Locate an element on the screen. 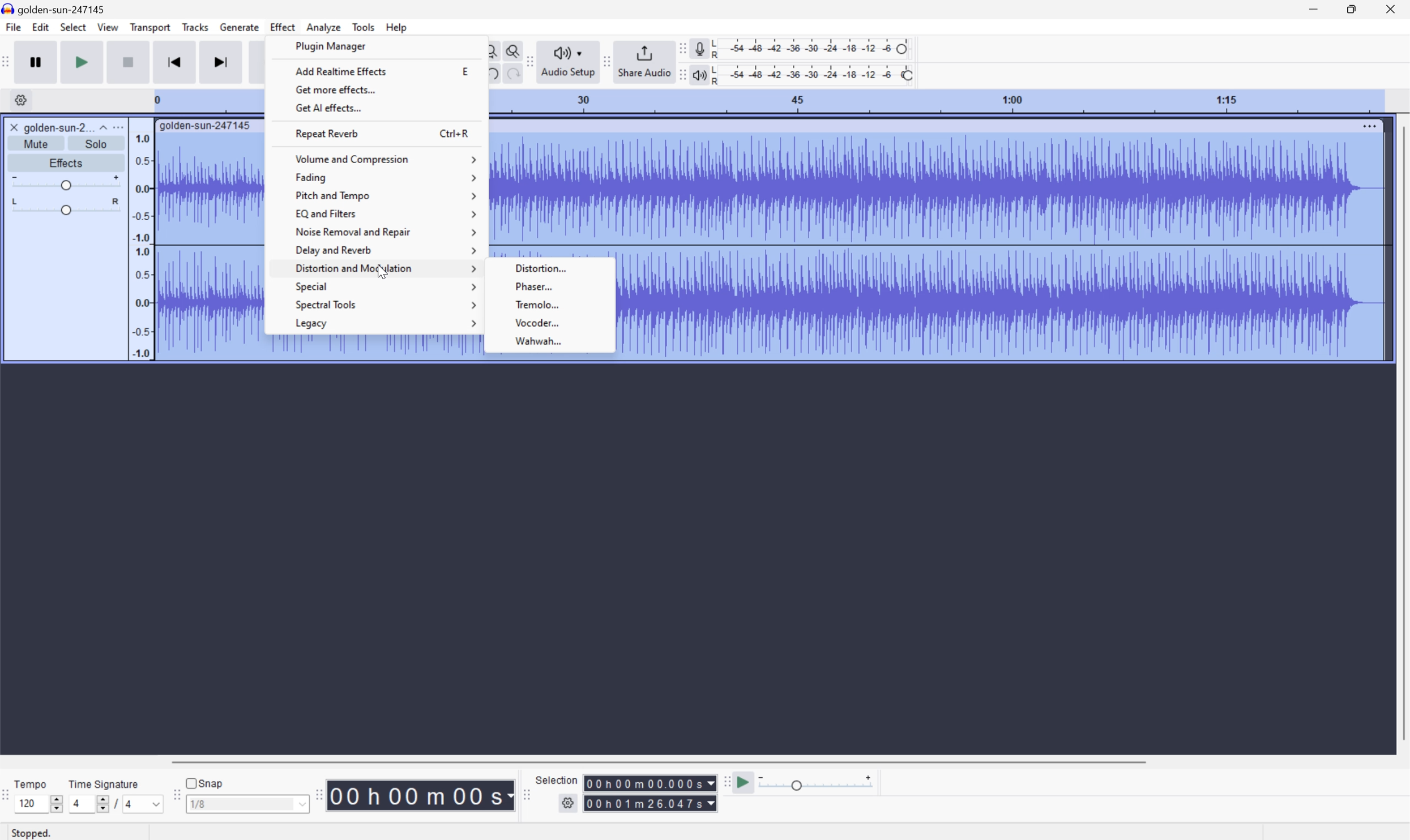  Edit is located at coordinates (40, 27).